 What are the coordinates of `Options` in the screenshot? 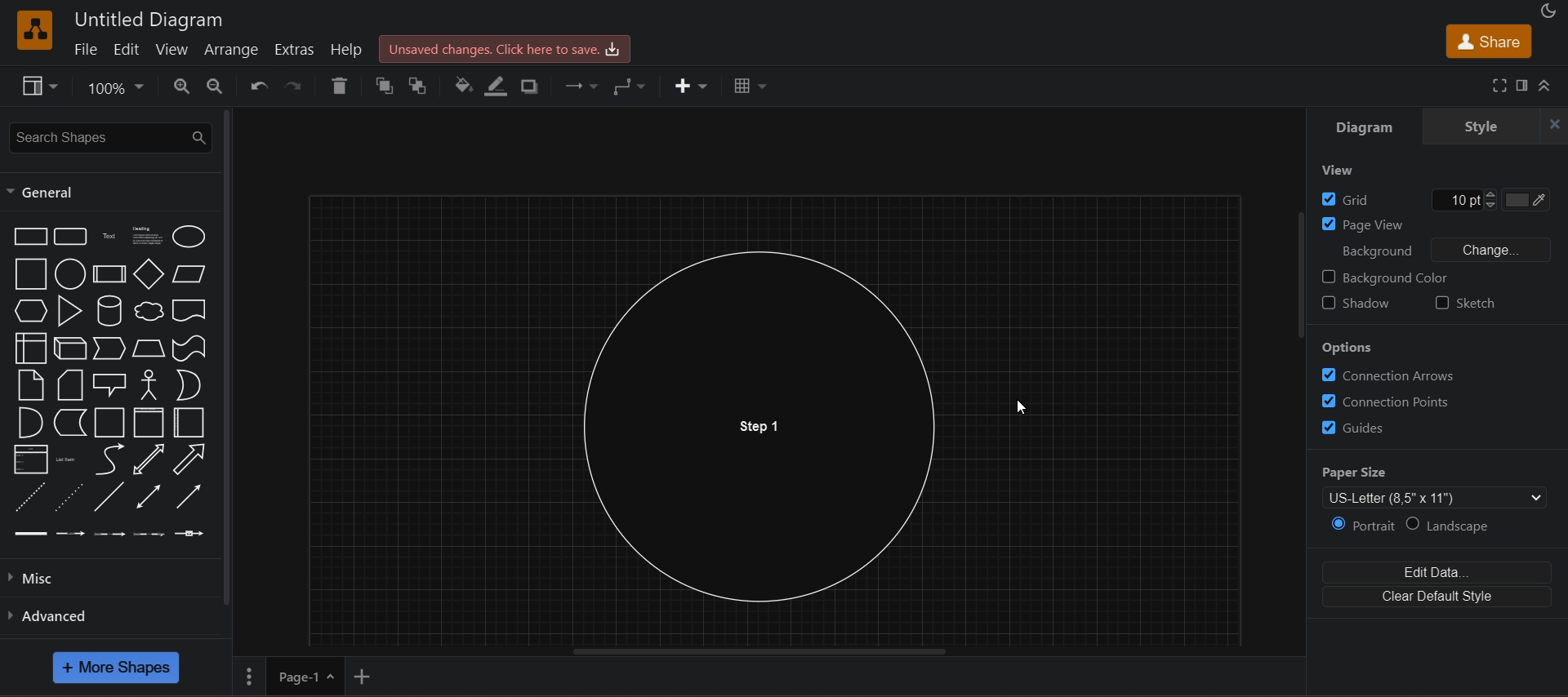 It's located at (1347, 348).